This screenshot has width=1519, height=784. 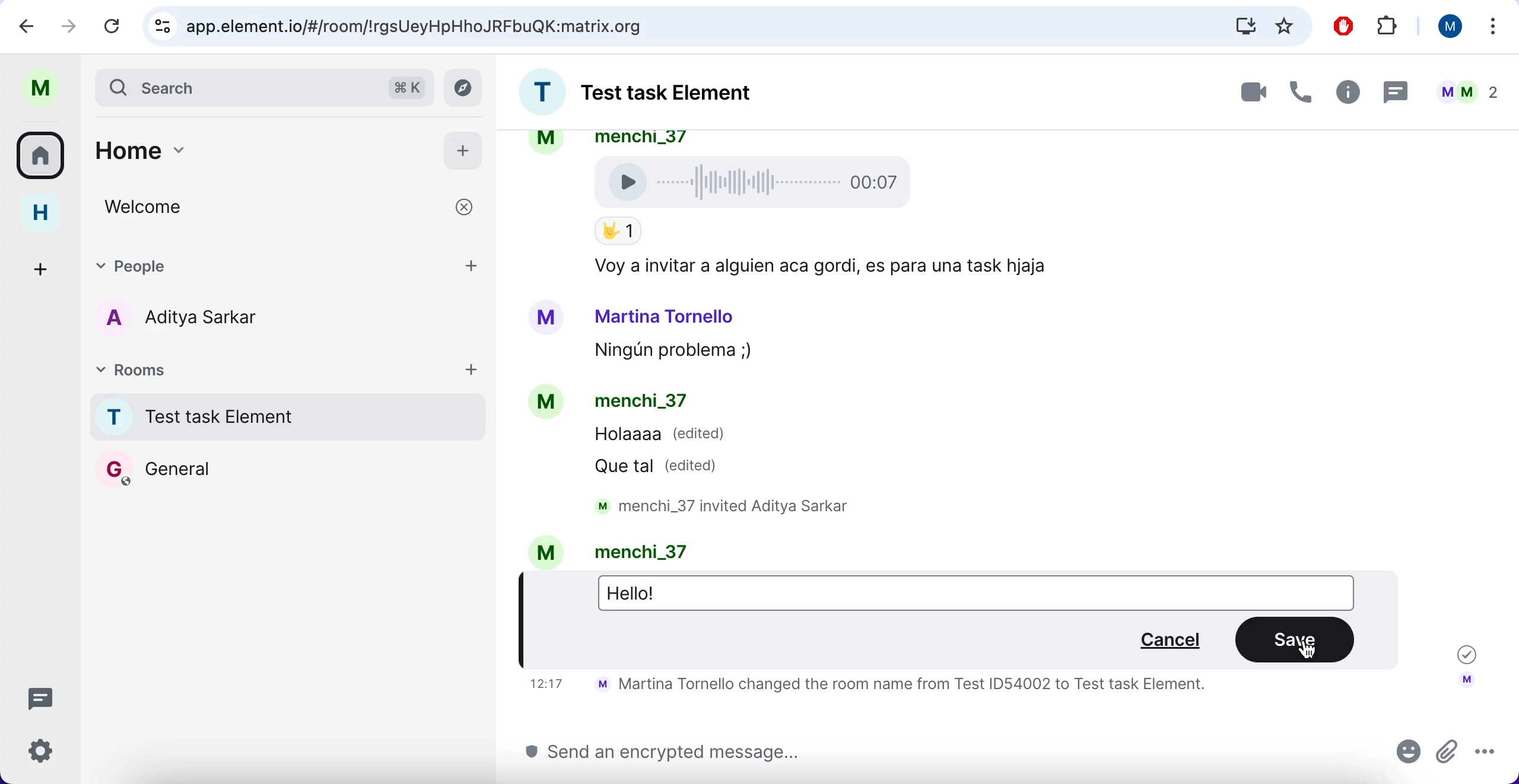 I want to click on save, so click(x=1296, y=639).